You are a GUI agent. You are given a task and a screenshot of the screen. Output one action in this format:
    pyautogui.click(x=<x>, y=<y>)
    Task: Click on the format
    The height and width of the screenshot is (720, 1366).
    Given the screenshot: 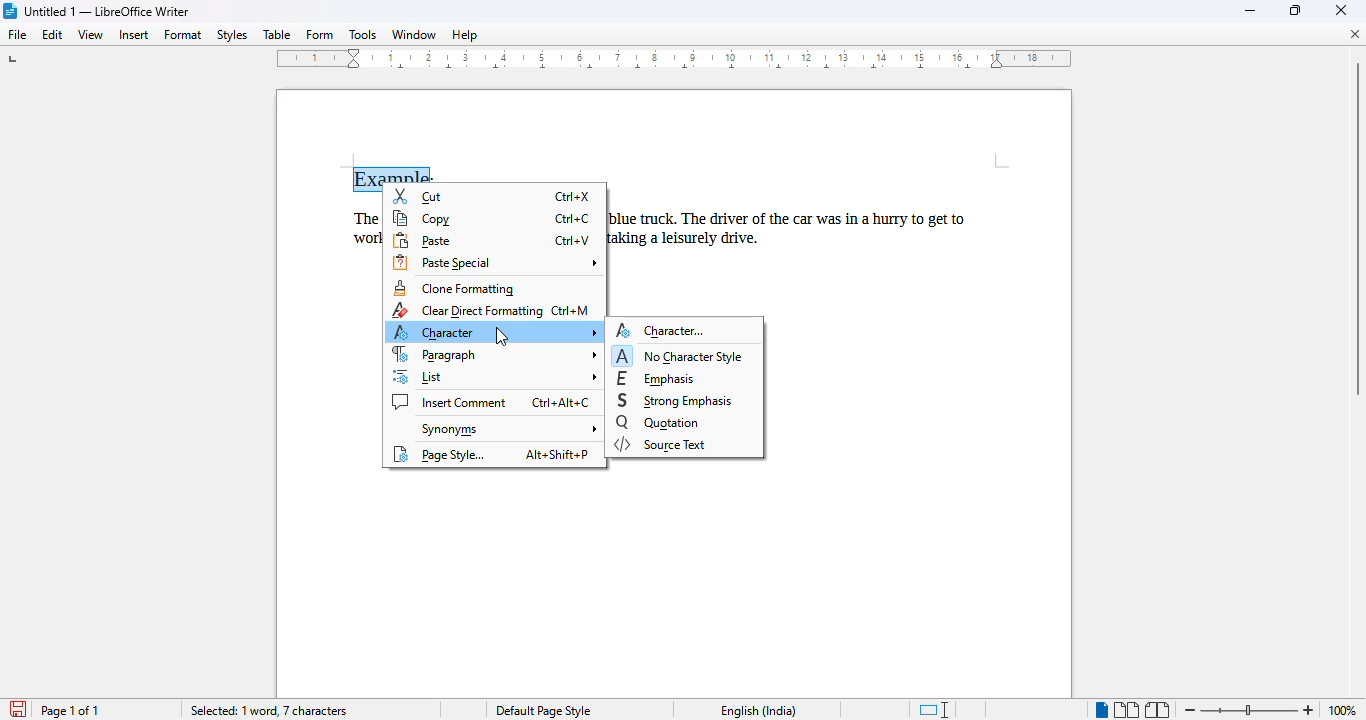 What is the action you would take?
    pyautogui.click(x=184, y=34)
    